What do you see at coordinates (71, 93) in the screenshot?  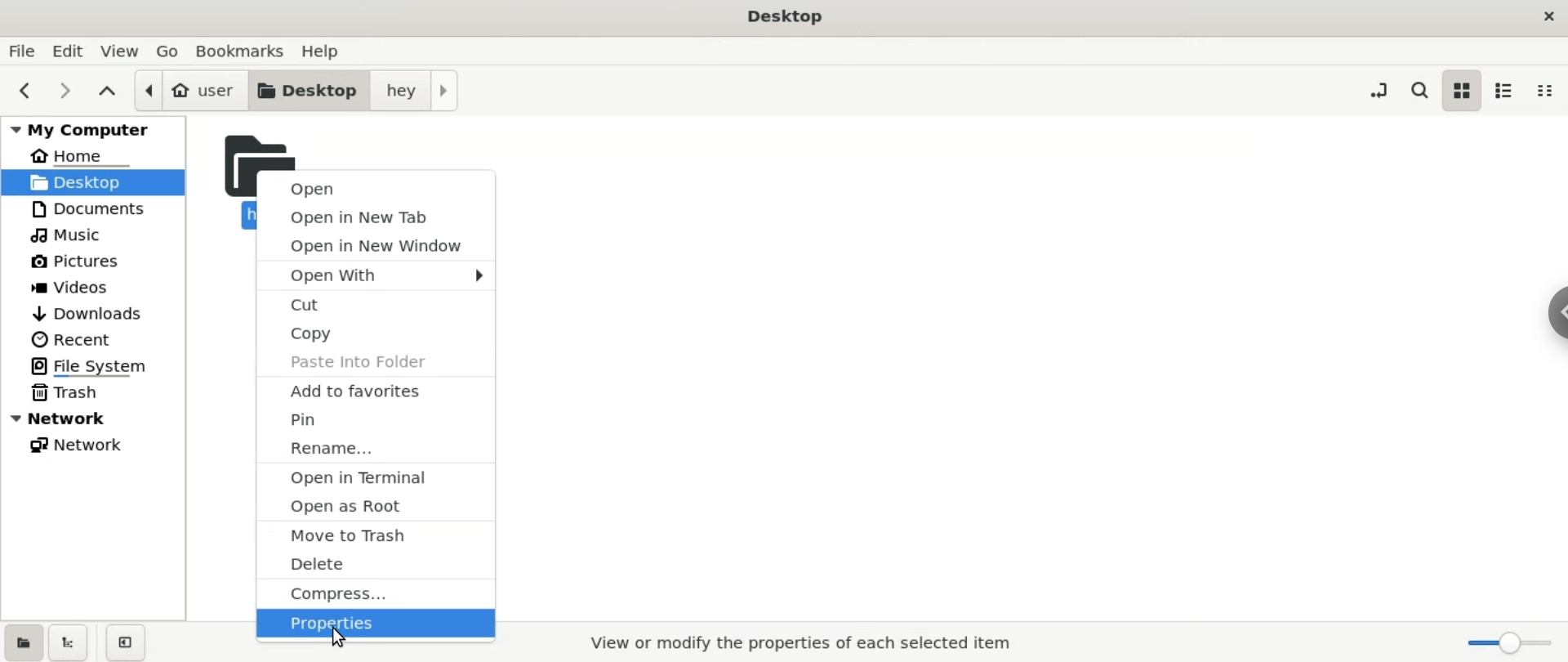 I see `next` at bounding box center [71, 93].